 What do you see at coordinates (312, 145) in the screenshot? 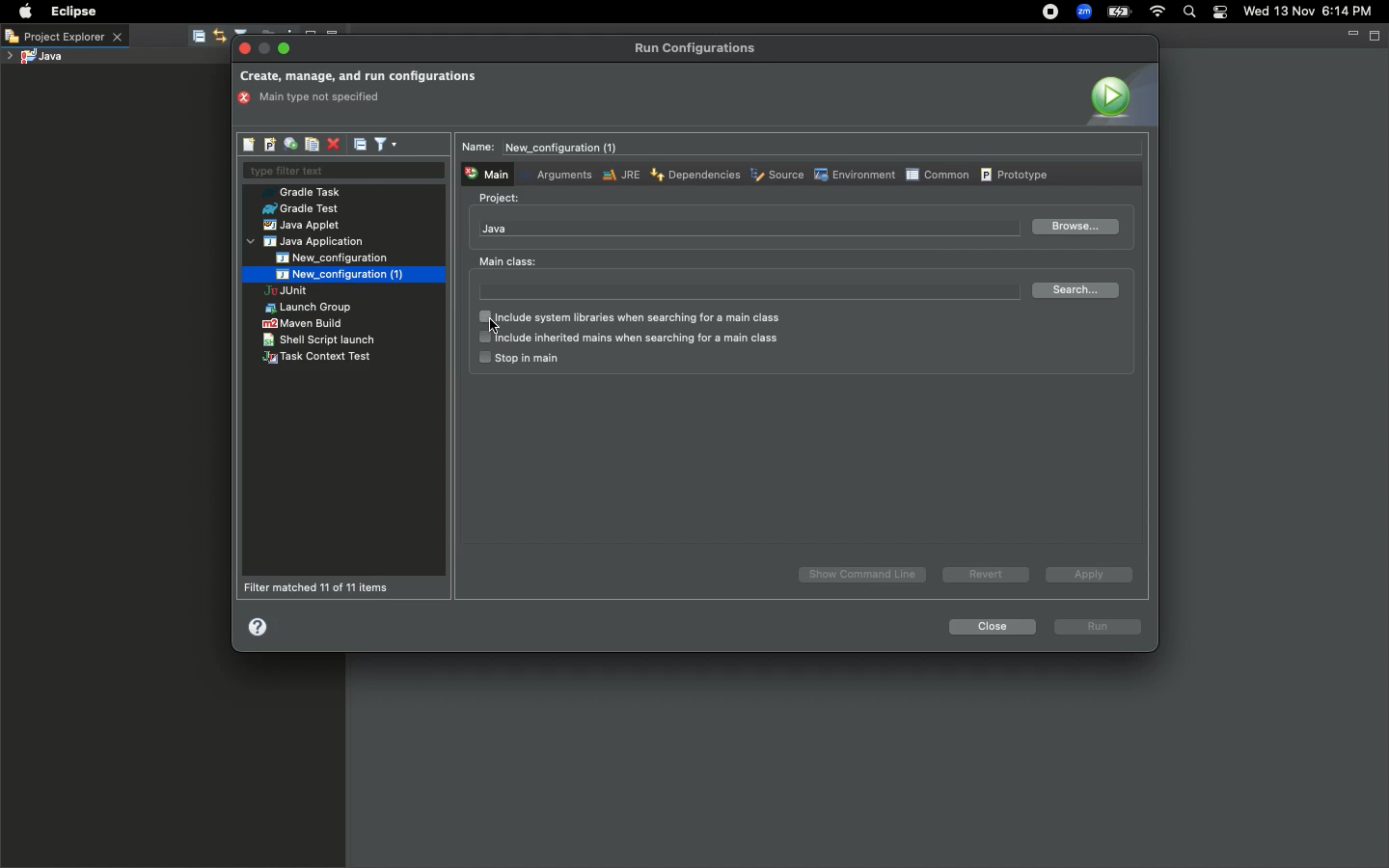
I see `Duplicates the currently selected launch configurations` at bounding box center [312, 145].